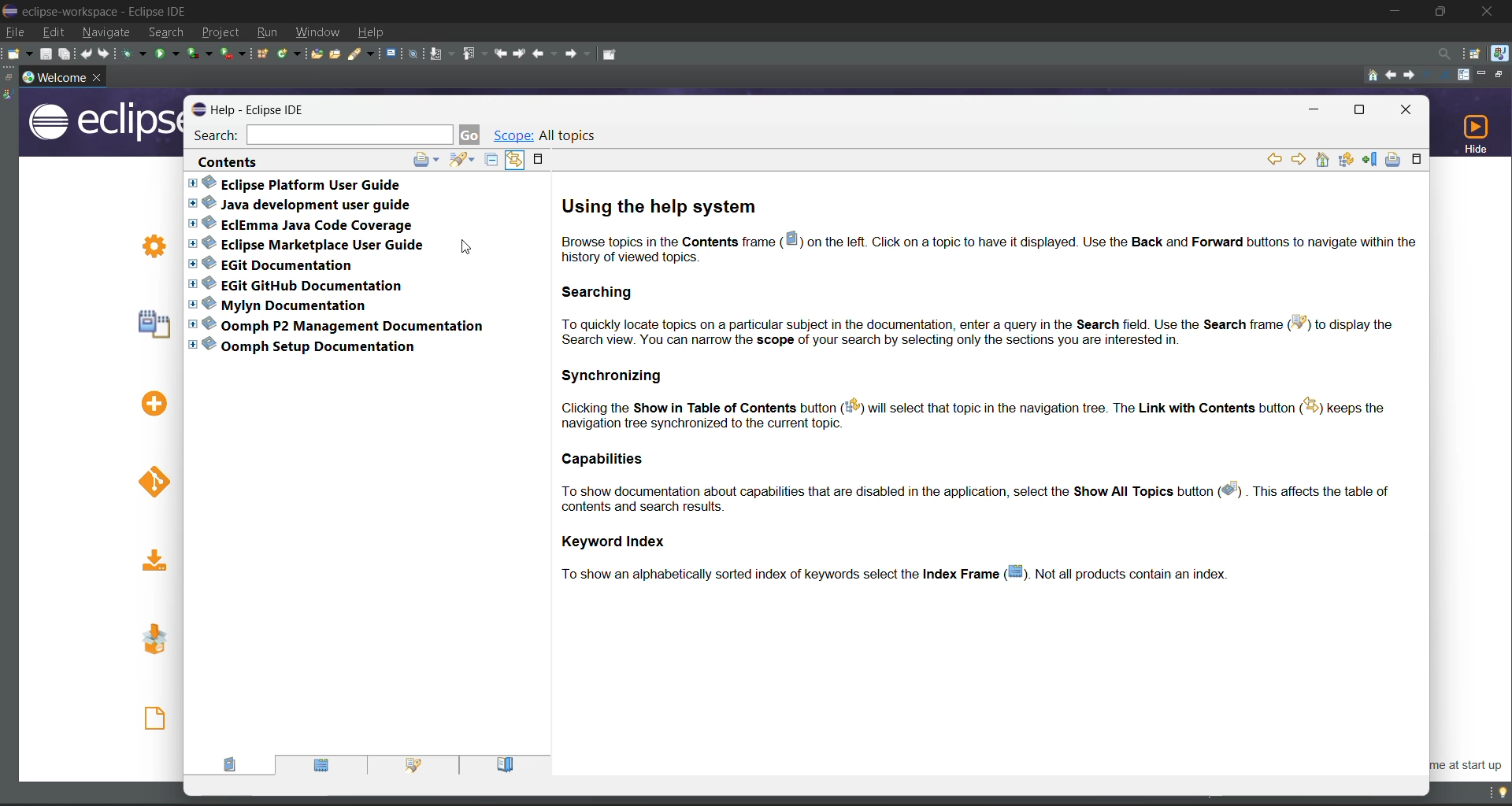 The height and width of the screenshot is (806, 1512). I want to click on reduce, so click(1427, 75).